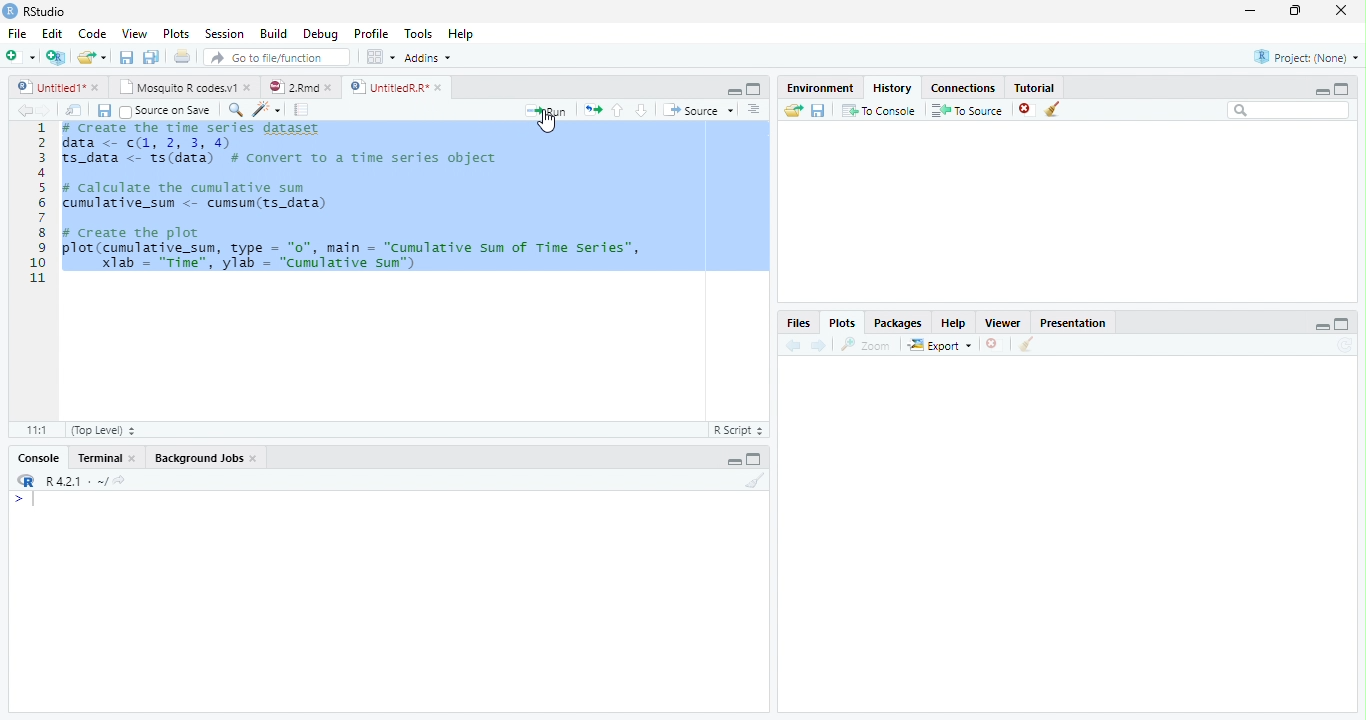  What do you see at coordinates (134, 33) in the screenshot?
I see `View` at bounding box center [134, 33].